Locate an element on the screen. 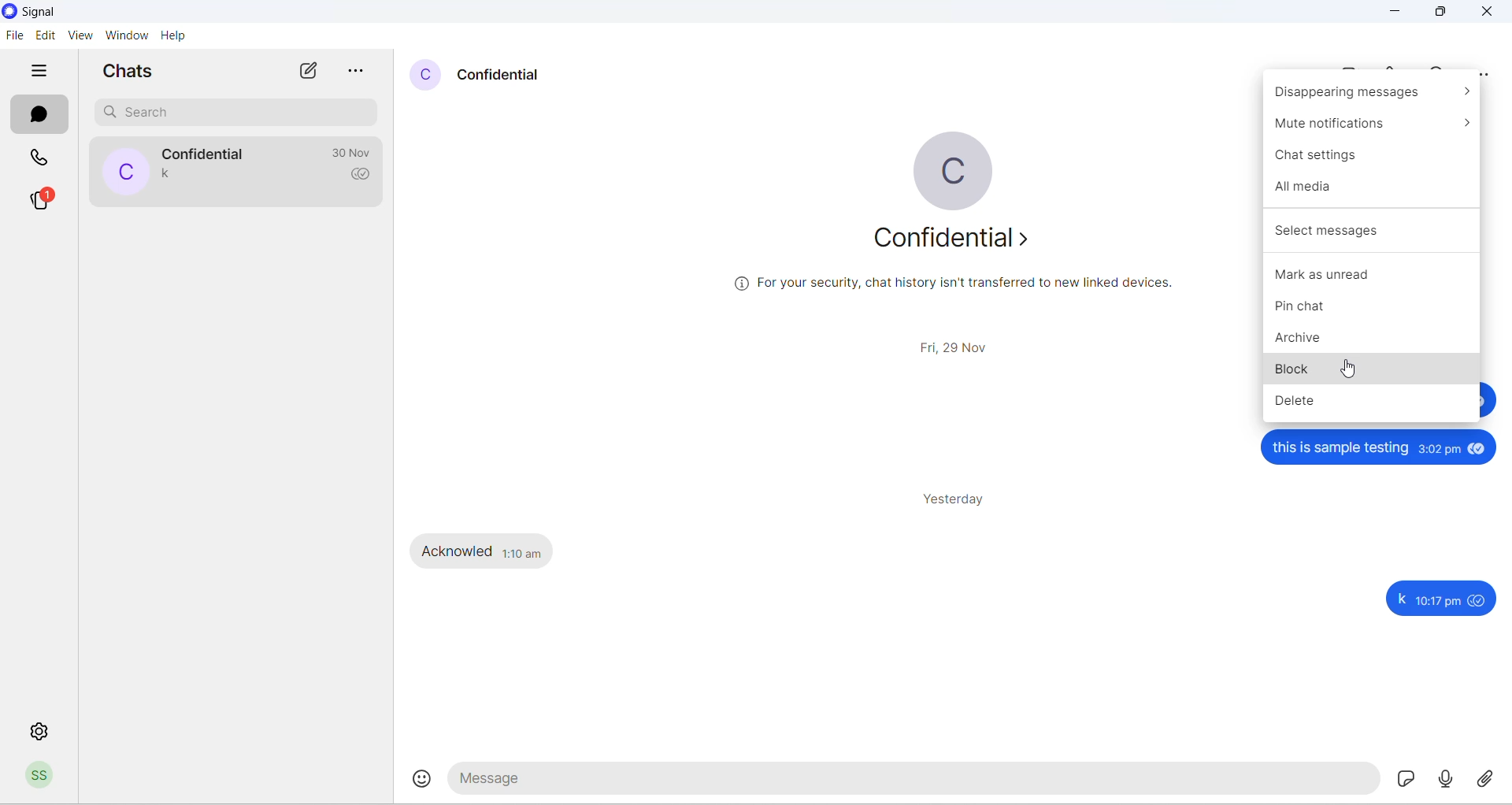 Image resolution: width=1512 pixels, height=805 pixels. about contact is located at coordinates (951, 244).